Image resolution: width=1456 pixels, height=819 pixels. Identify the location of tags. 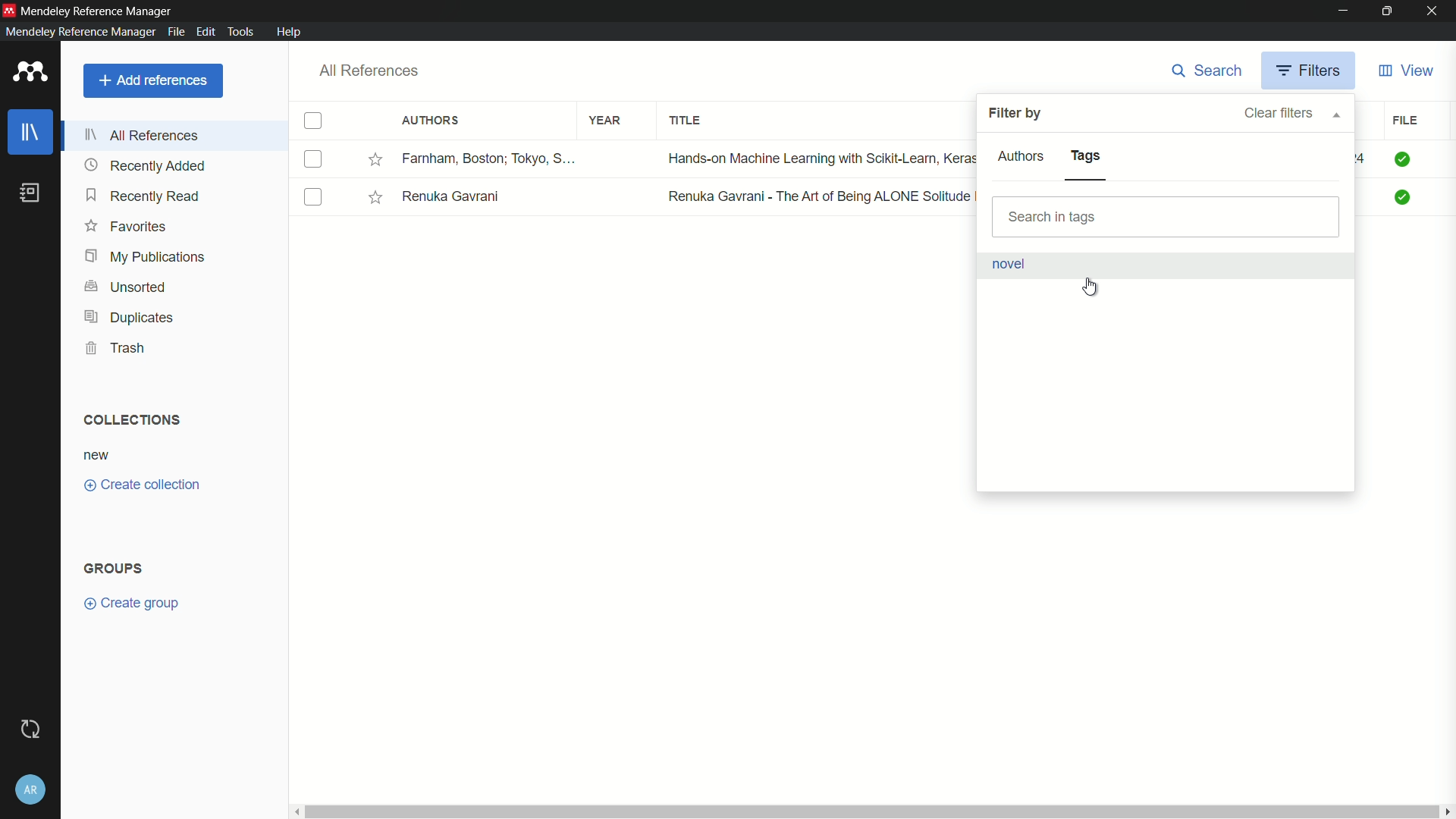
(1086, 156).